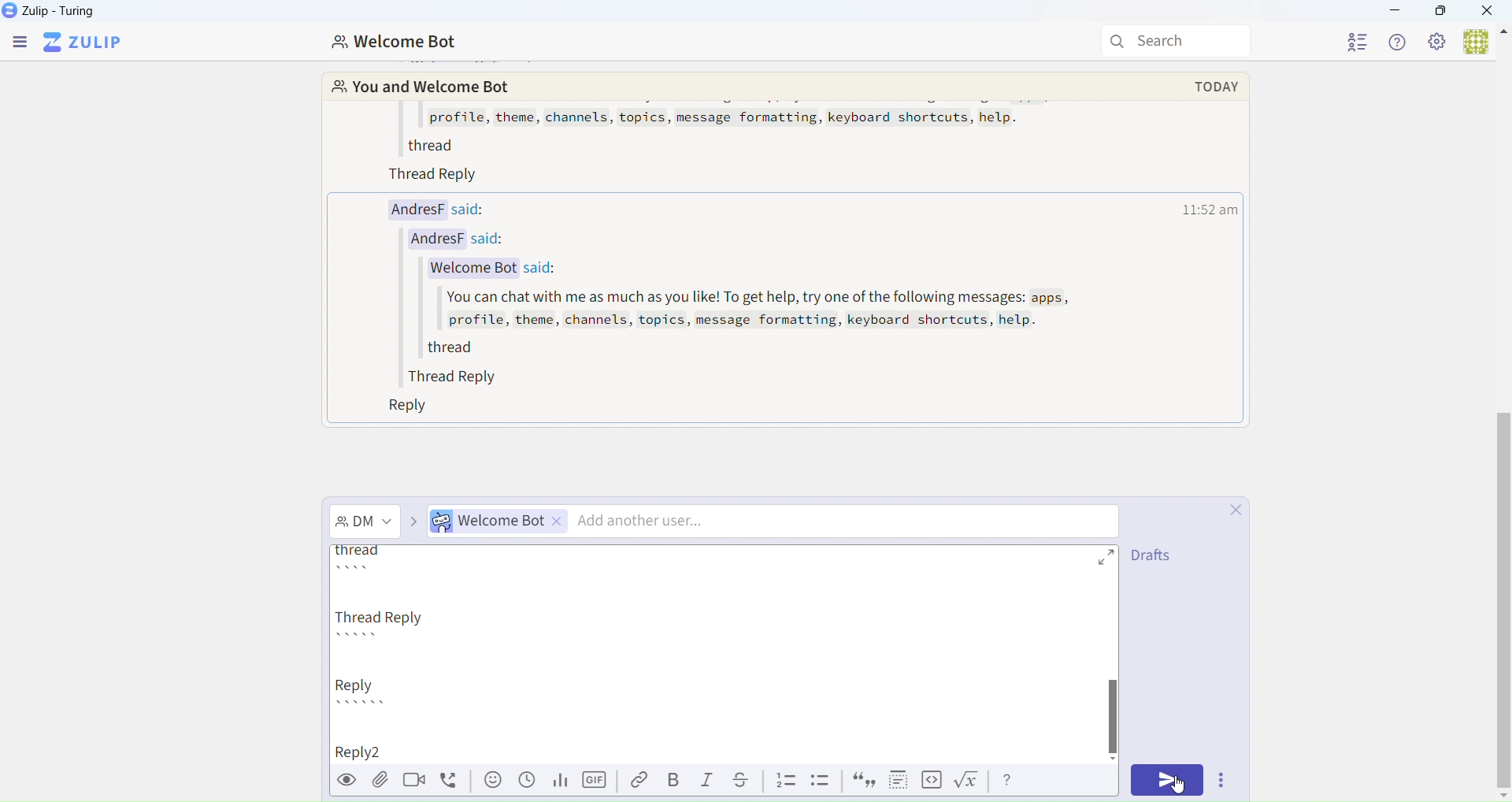 The width and height of the screenshot is (1512, 802). I want to click on Italic, so click(709, 780).